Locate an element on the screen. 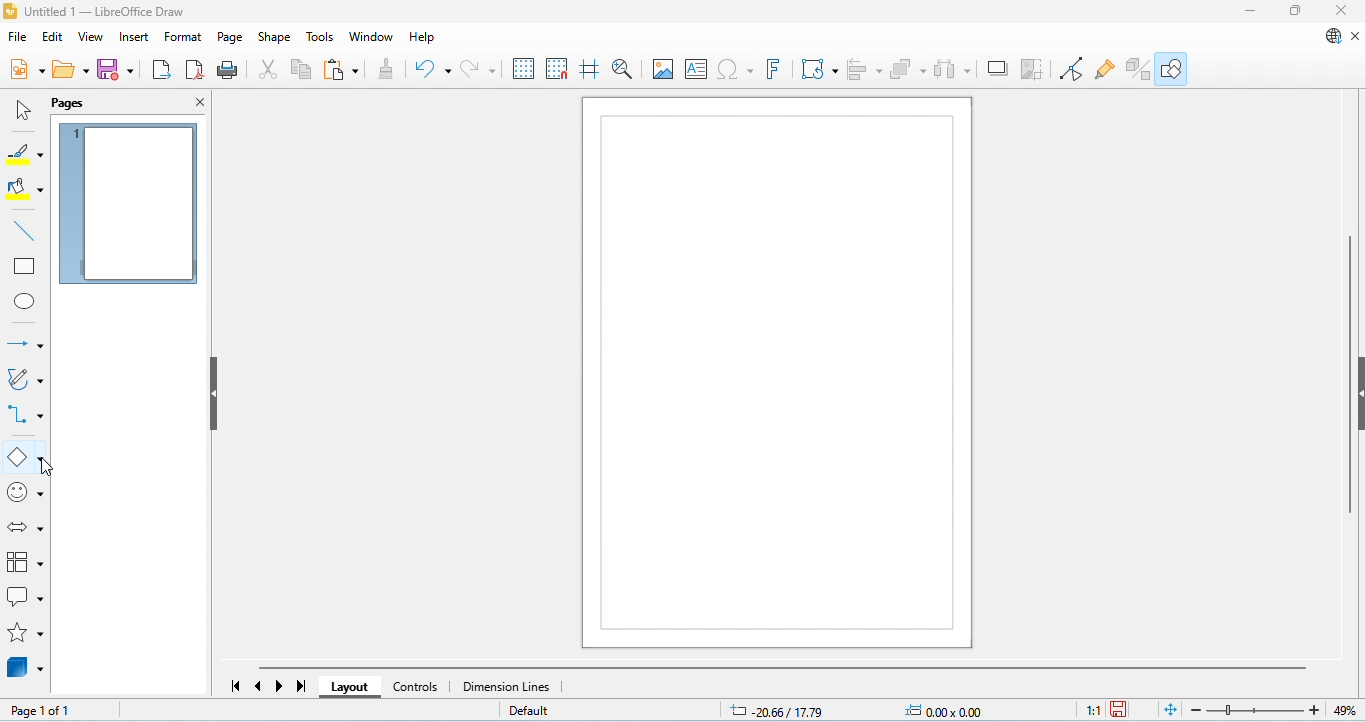  insert image is located at coordinates (663, 69).